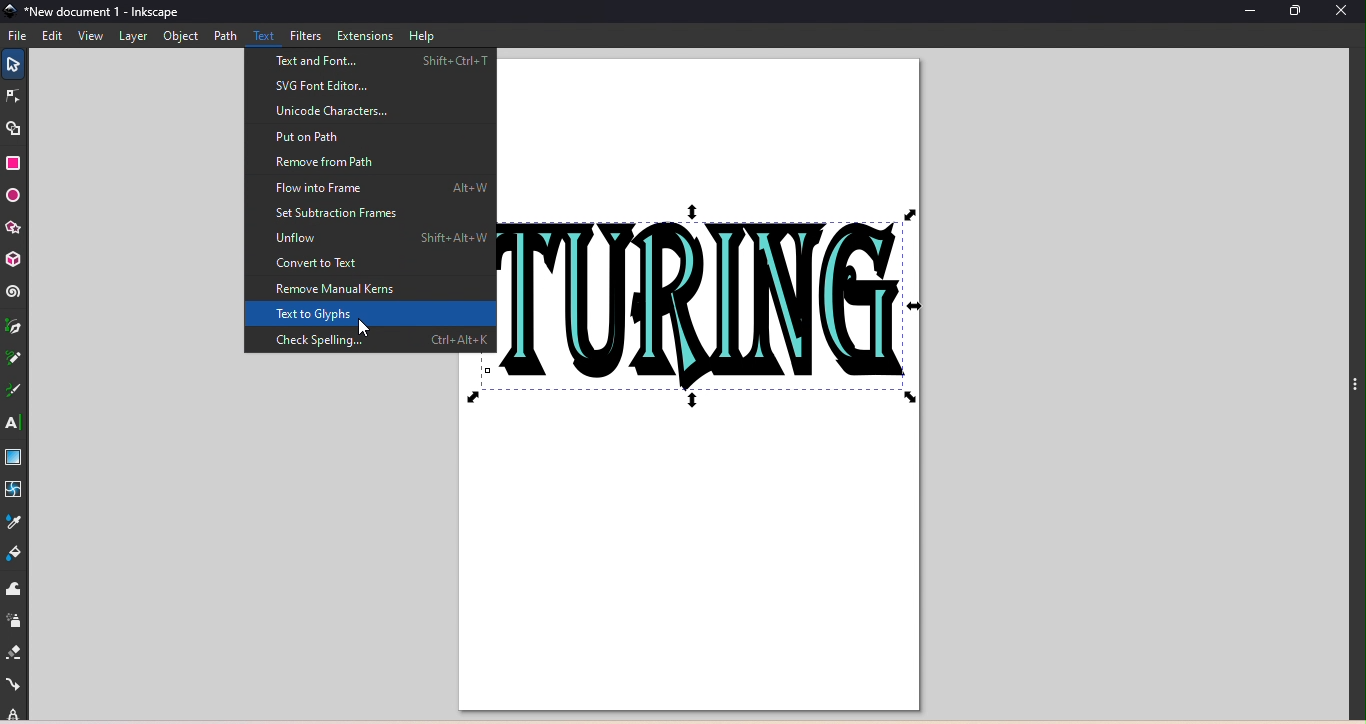  Describe the element at coordinates (1243, 13) in the screenshot. I see `Minimize` at that location.